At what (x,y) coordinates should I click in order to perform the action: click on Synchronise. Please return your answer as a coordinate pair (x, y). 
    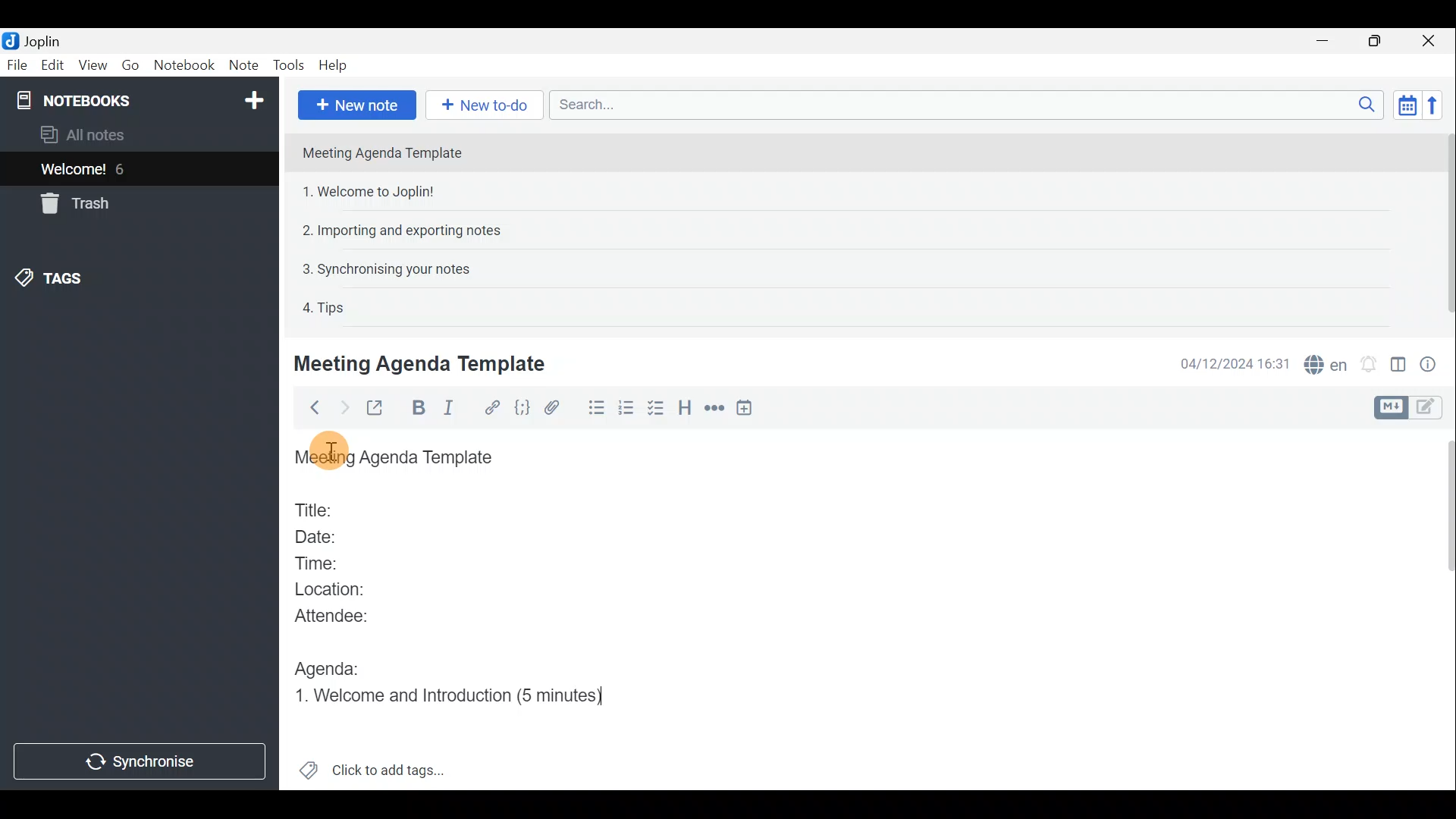
    Looking at the image, I should click on (140, 761).